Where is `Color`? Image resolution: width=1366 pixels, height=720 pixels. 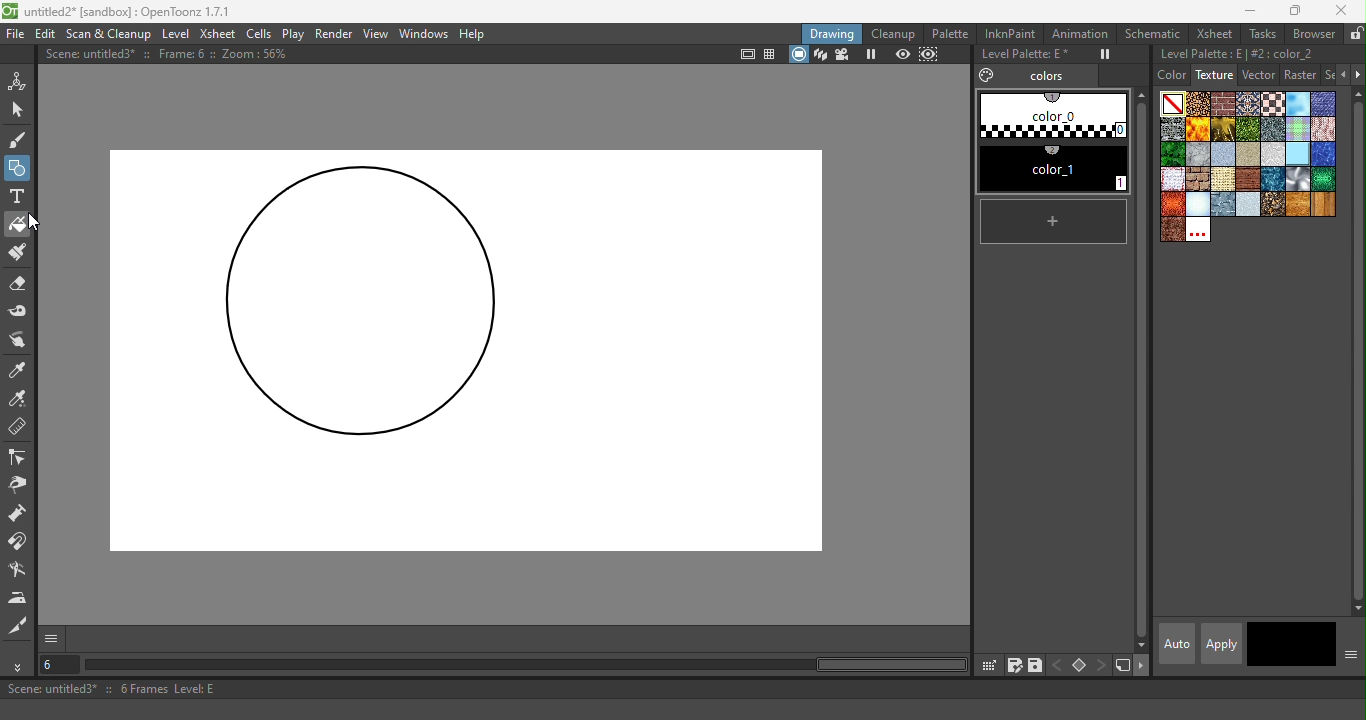
Color is located at coordinates (1165, 76).